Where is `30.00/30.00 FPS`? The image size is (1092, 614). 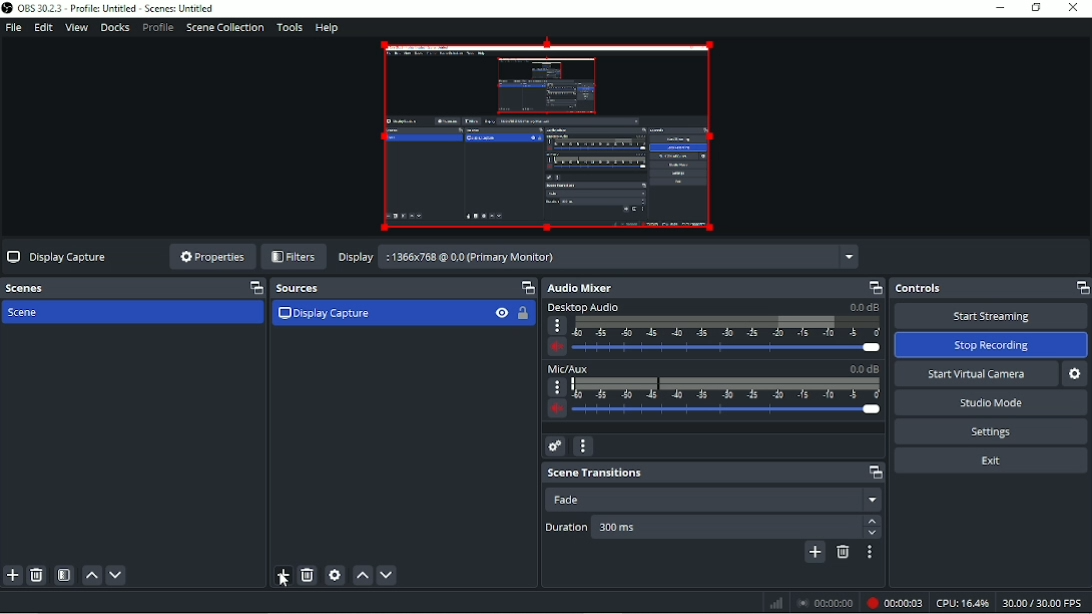 30.00/30.00 FPS is located at coordinates (1045, 604).